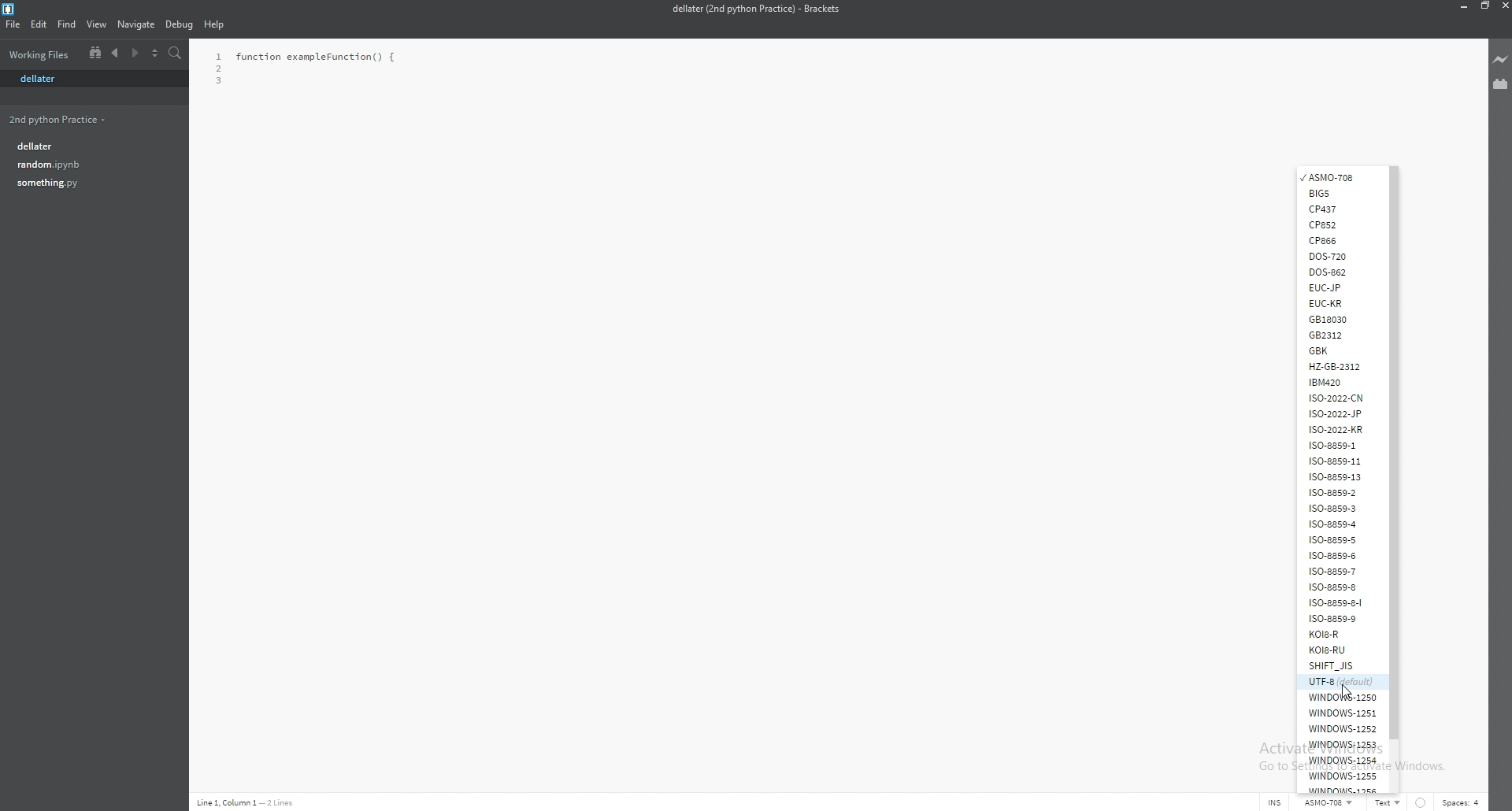 The image size is (1512, 811). I want to click on windows-1252, so click(1341, 728).